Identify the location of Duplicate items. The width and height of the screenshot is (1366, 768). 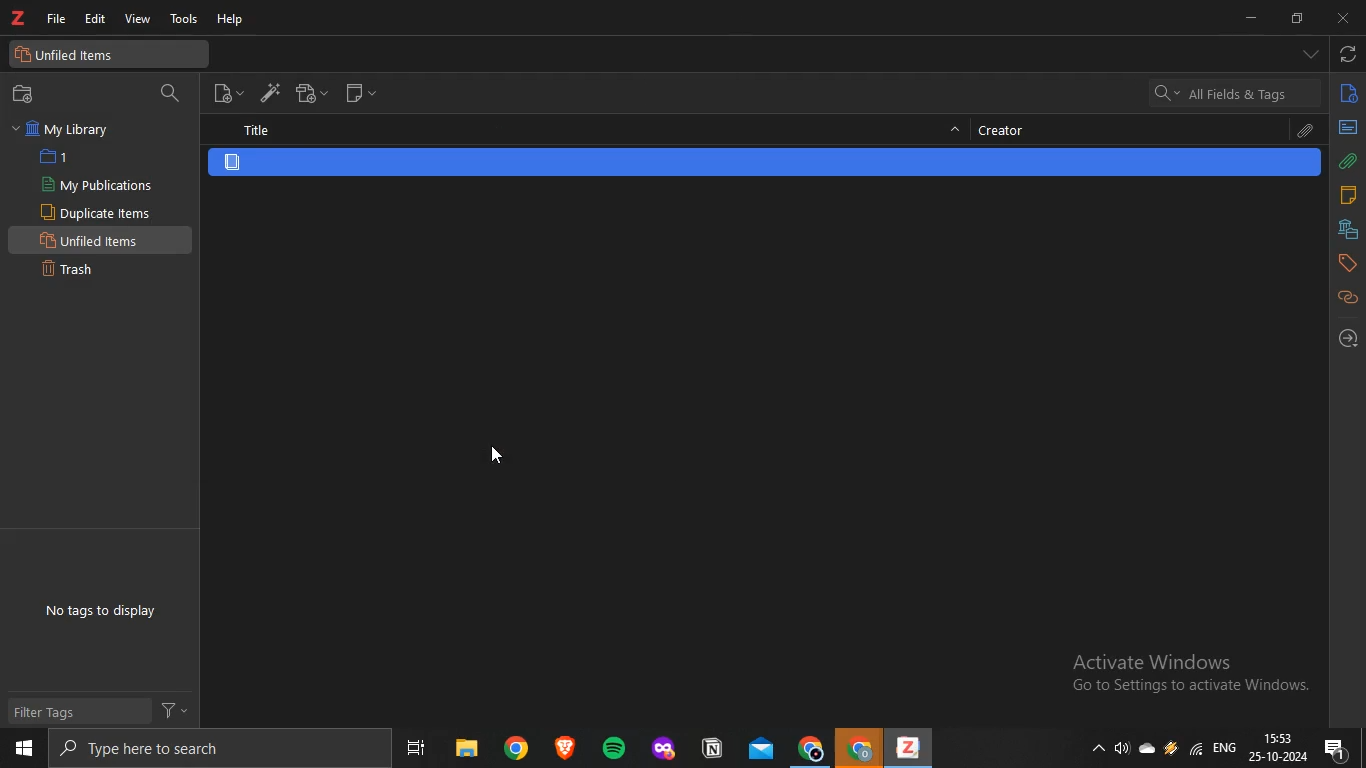
(97, 212).